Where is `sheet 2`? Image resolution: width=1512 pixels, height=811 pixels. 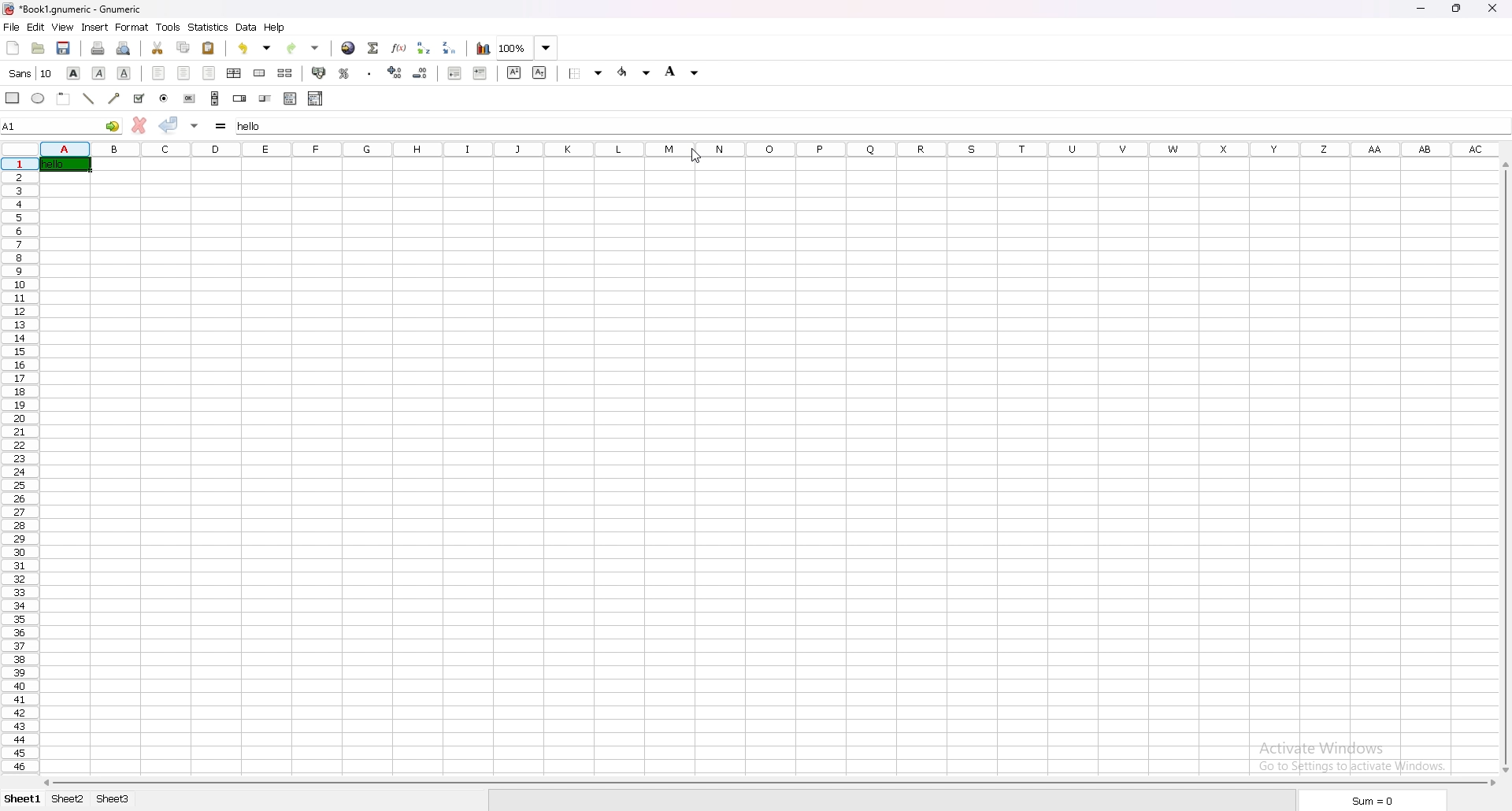 sheet 2 is located at coordinates (69, 798).